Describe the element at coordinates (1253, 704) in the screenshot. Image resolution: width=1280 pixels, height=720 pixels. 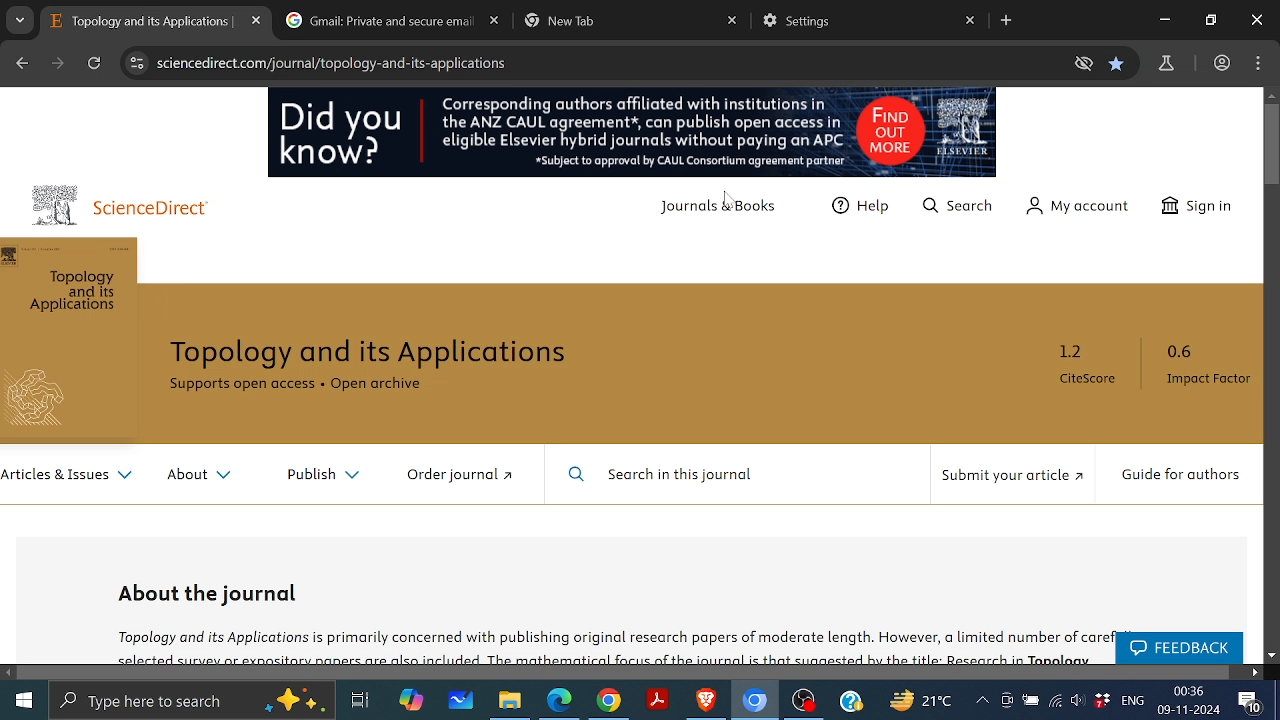
I see `comments` at that location.